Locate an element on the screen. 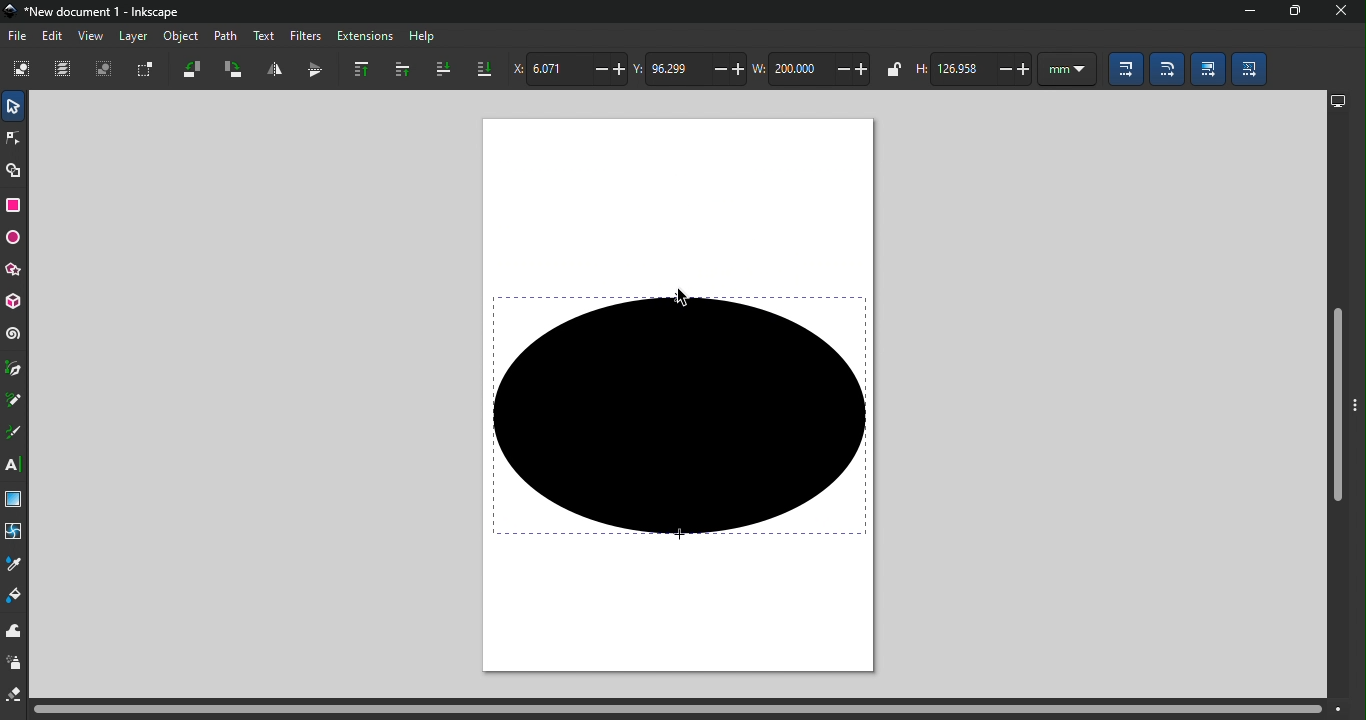 This screenshot has width=1366, height=720. lower selection one step is located at coordinates (444, 70).